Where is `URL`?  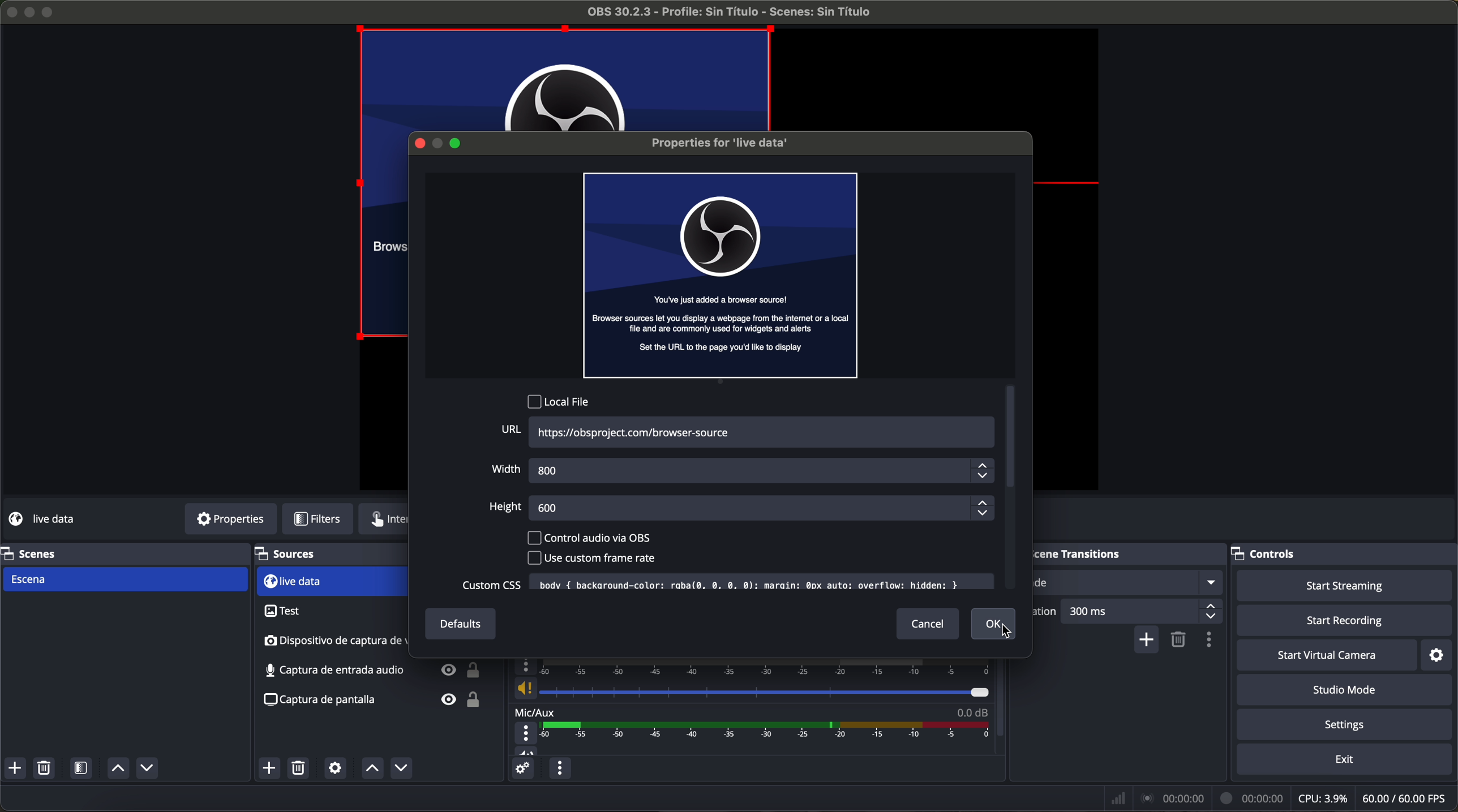 URL is located at coordinates (636, 432).